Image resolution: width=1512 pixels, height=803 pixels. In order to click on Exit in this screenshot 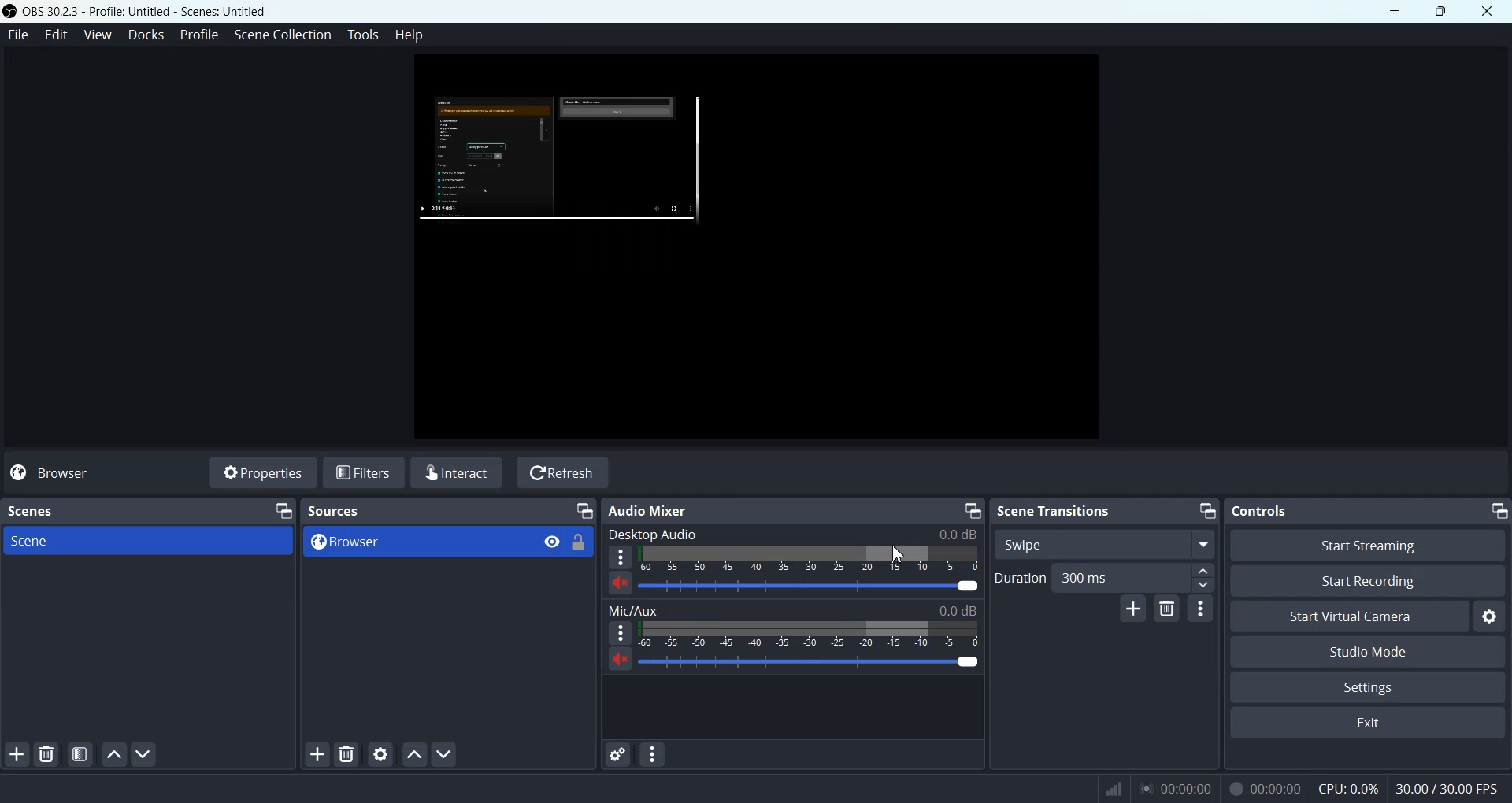, I will do `click(1366, 724)`.